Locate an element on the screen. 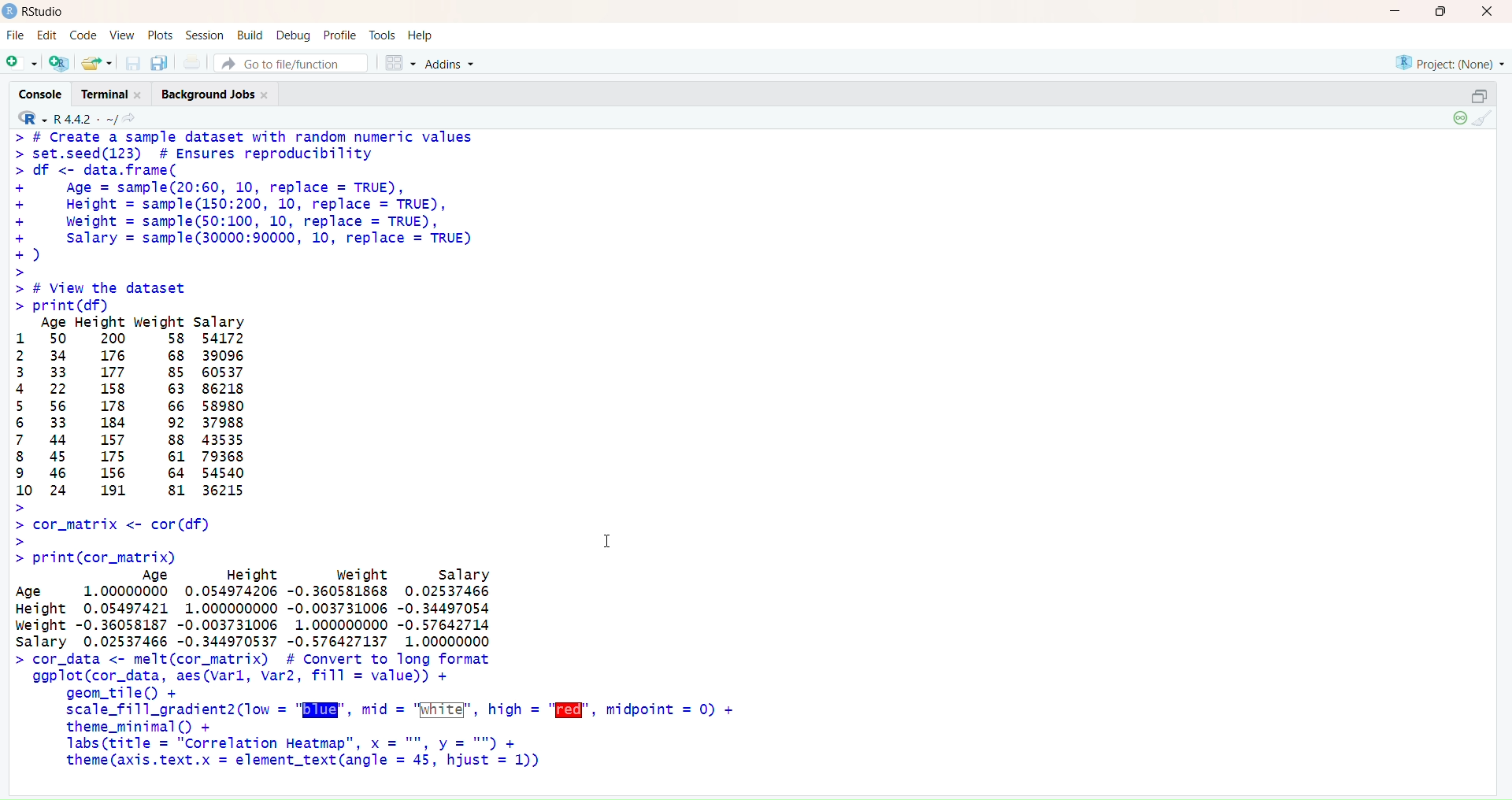 The image size is (1512, 800). Session suspend timeout passed: A child process is running is located at coordinates (1458, 119).